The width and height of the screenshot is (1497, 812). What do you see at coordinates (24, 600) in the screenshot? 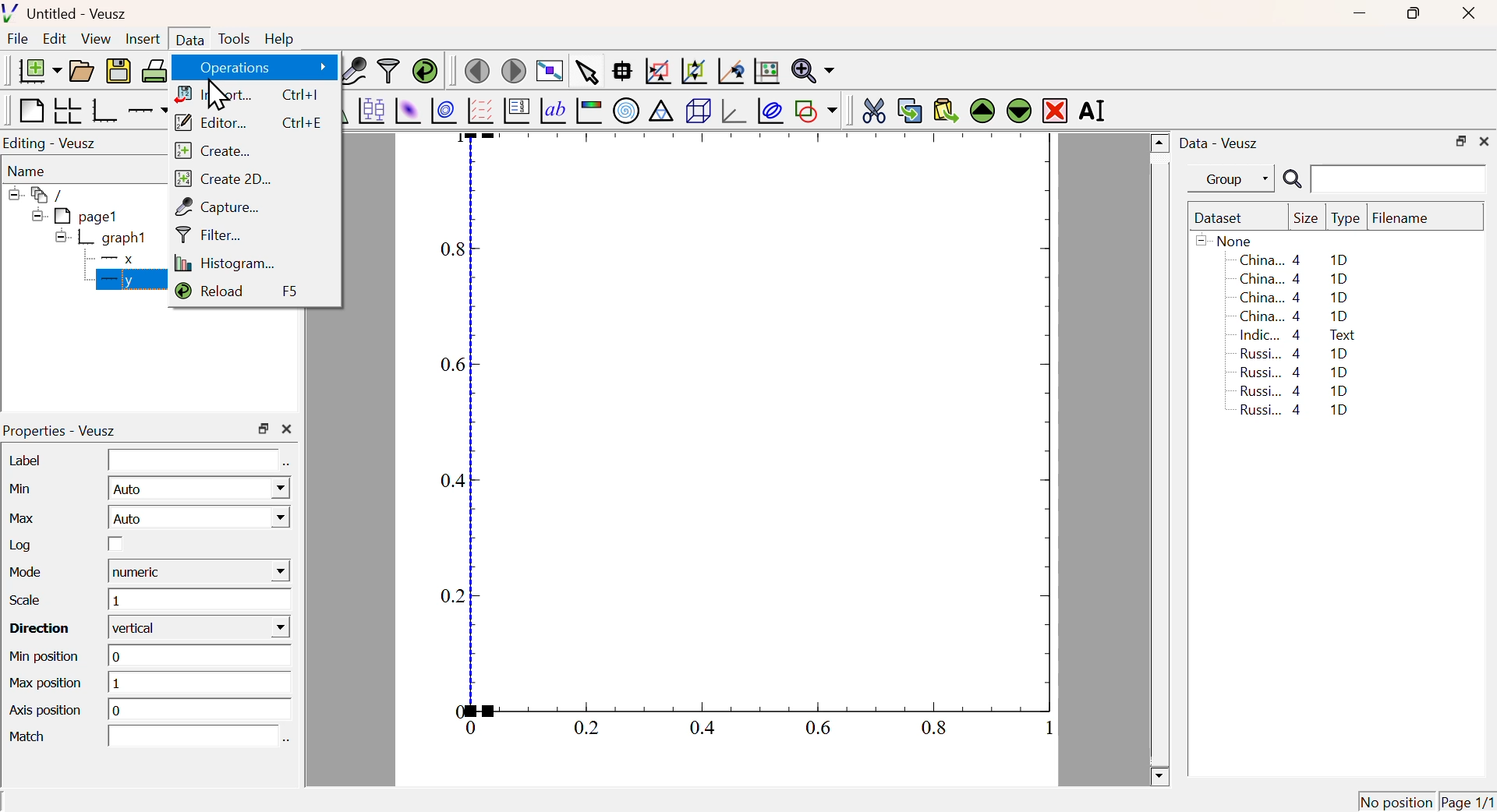
I see `Scale` at bounding box center [24, 600].